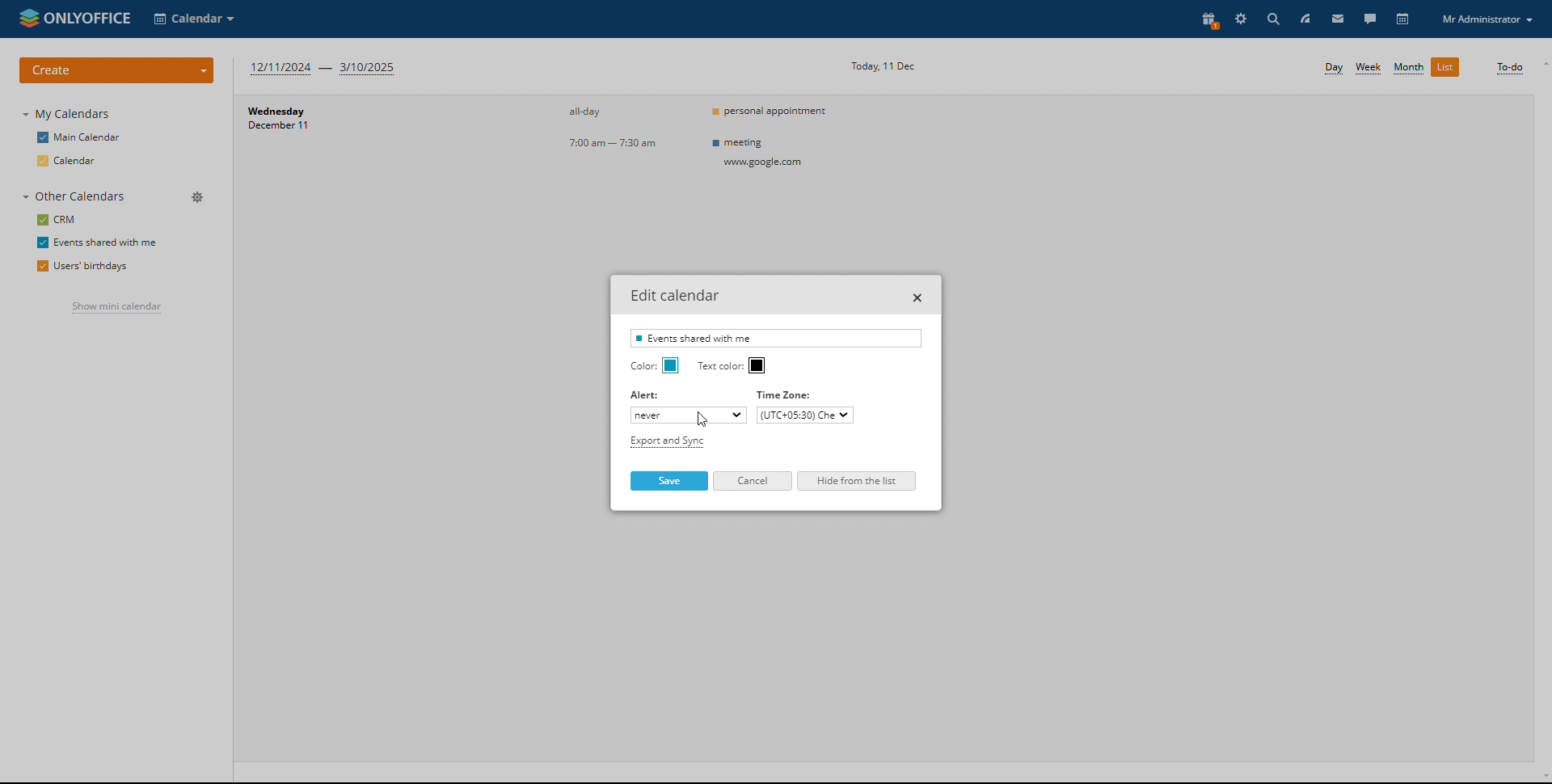 This screenshot has height=784, width=1552. What do you see at coordinates (675, 295) in the screenshot?
I see `edit calednar` at bounding box center [675, 295].